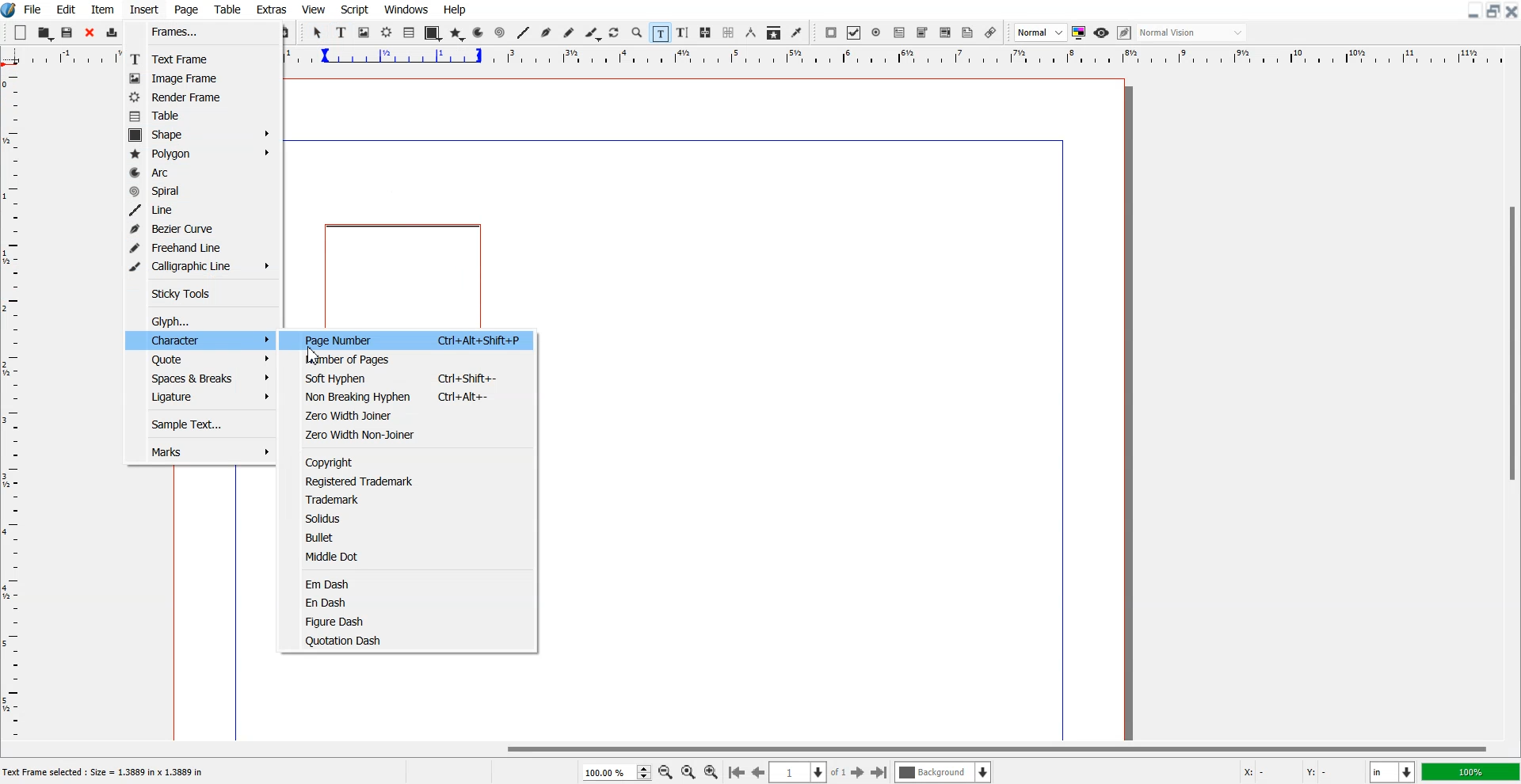 The image size is (1521, 784). What do you see at coordinates (415, 395) in the screenshot?
I see `Non Breaking Hyphen` at bounding box center [415, 395].